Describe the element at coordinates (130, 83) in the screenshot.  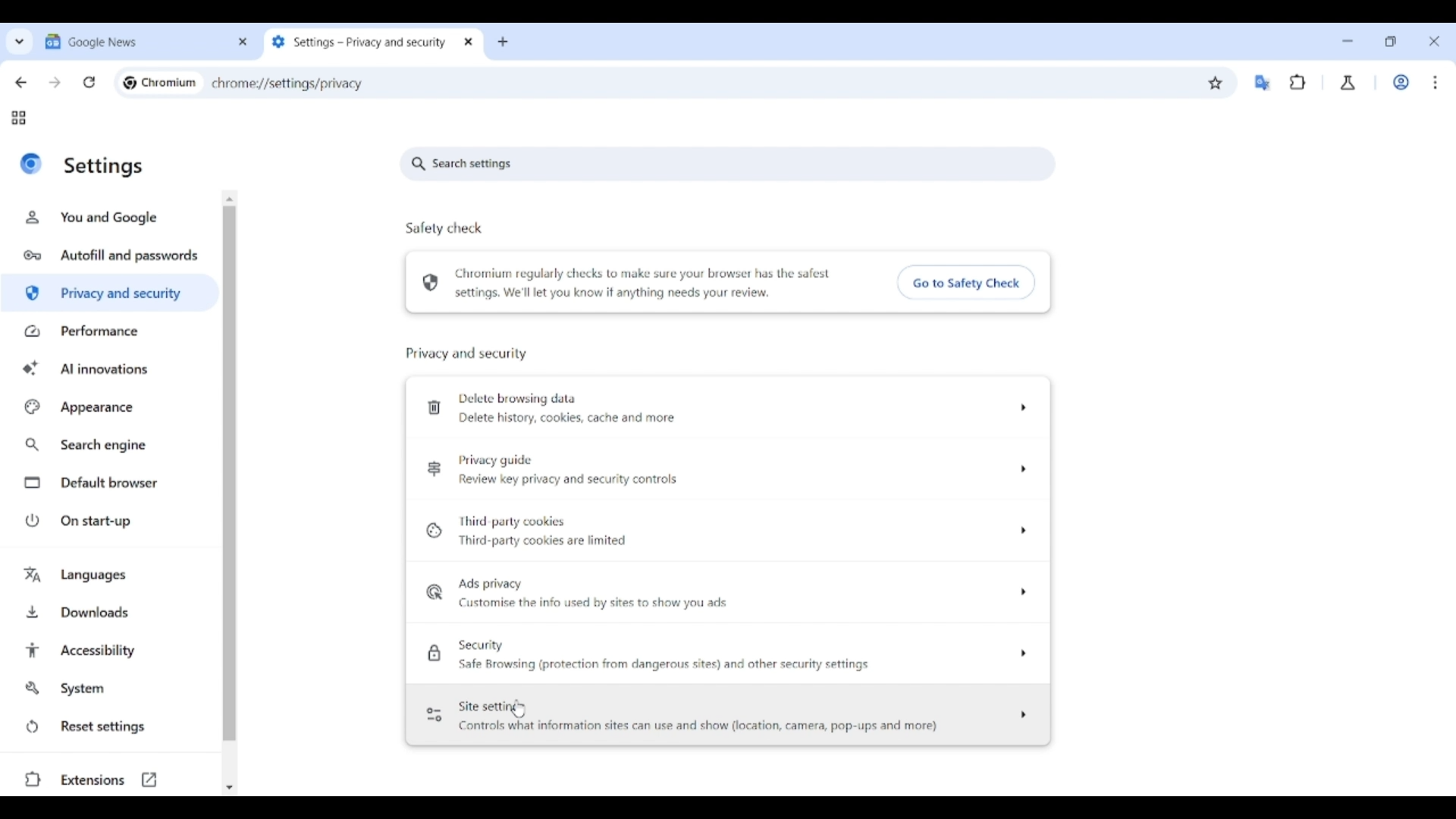
I see `Chromium logo` at that location.